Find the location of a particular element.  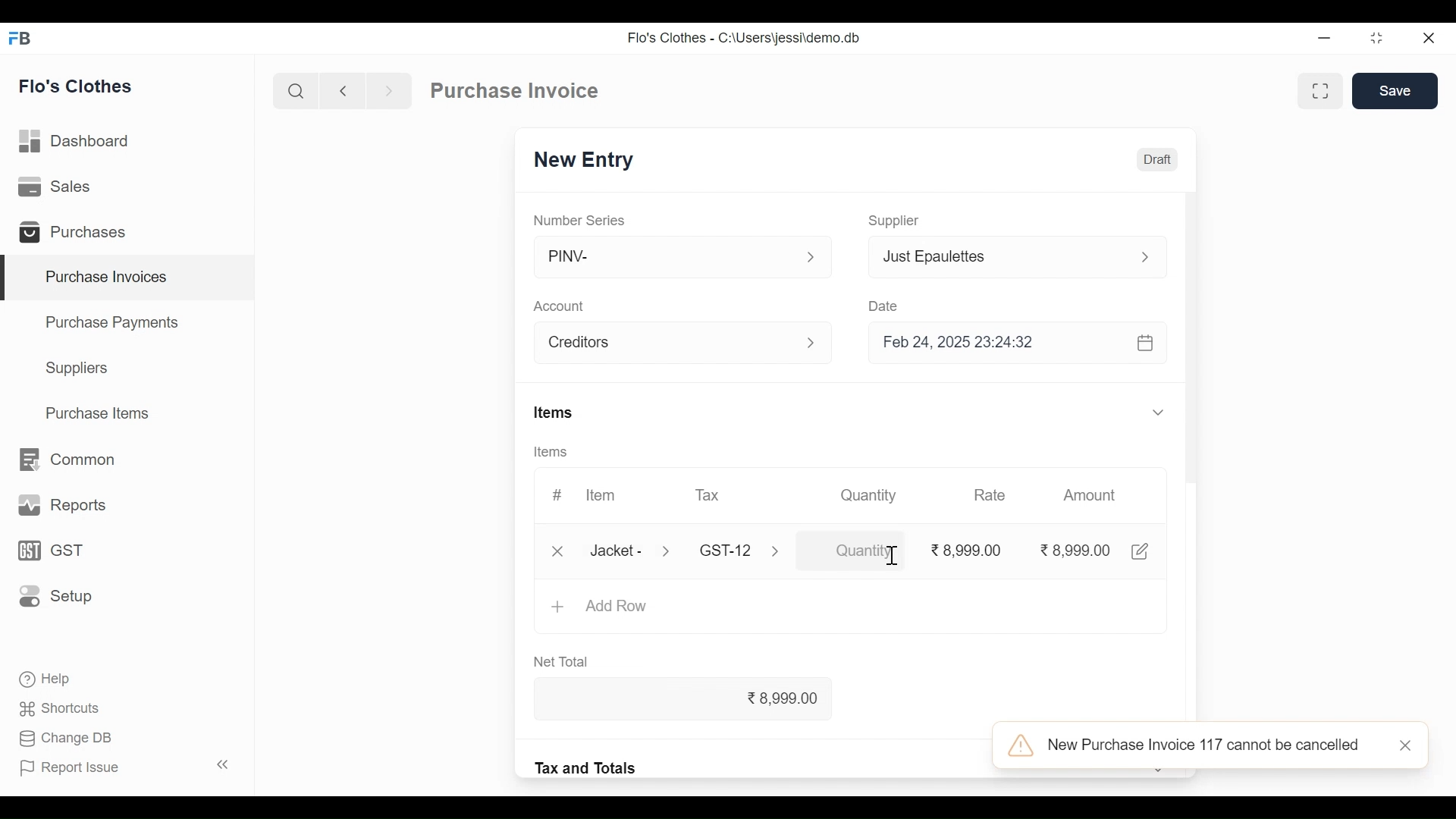

Close is located at coordinates (1429, 38).